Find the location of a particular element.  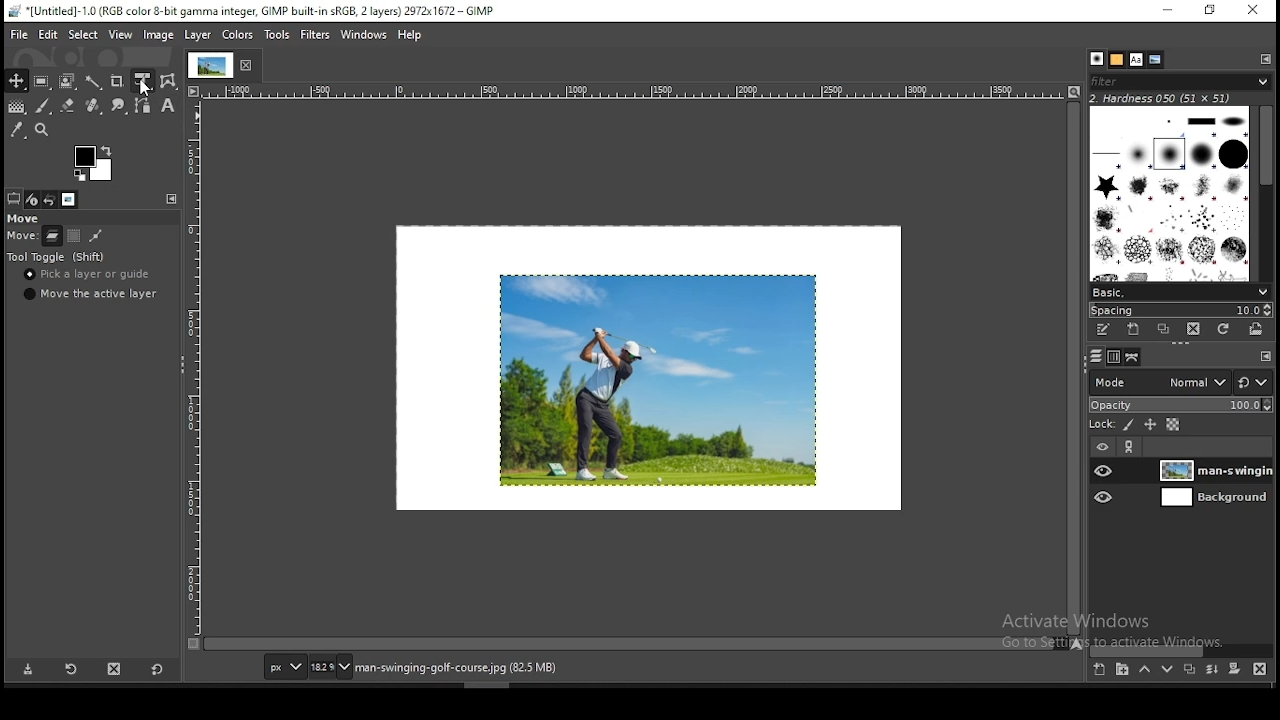

horizontal scale is located at coordinates (639, 92).